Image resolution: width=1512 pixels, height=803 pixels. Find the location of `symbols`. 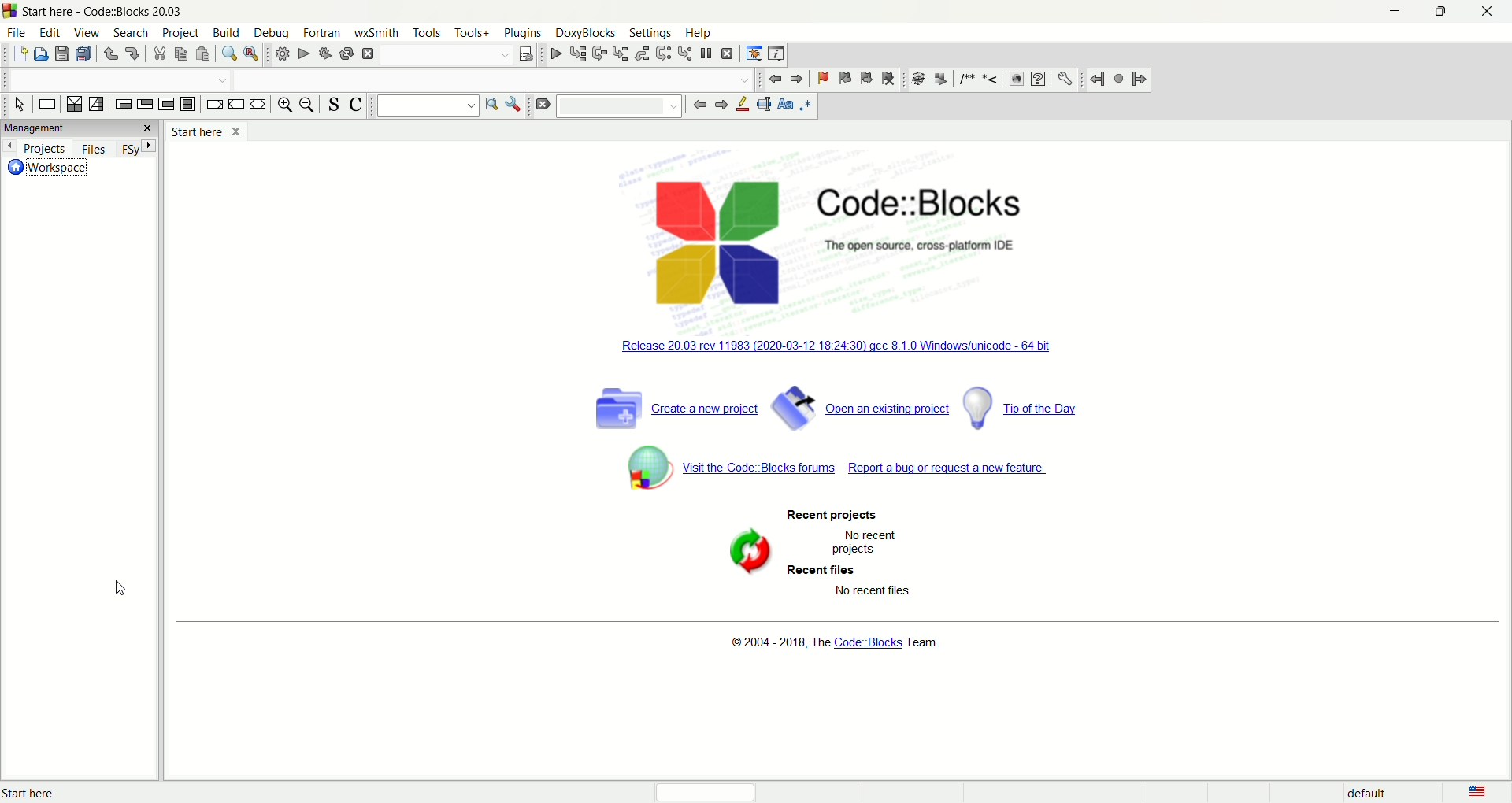

symbols is located at coordinates (955, 79).